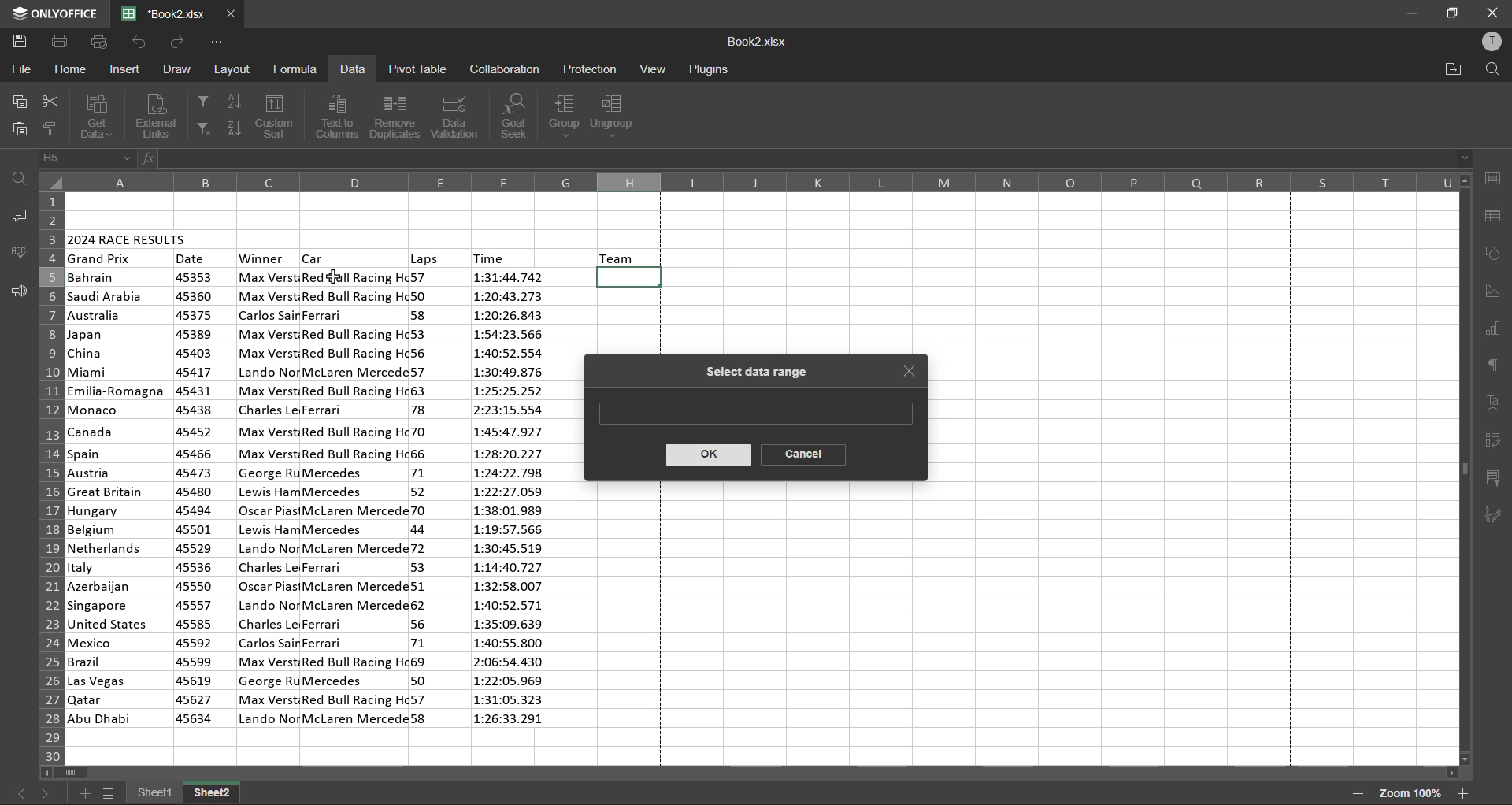 This screenshot has width=1512, height=805. Describe the element at coordinates (1411, 14) in the screenshot. I see `minimize` at that location.